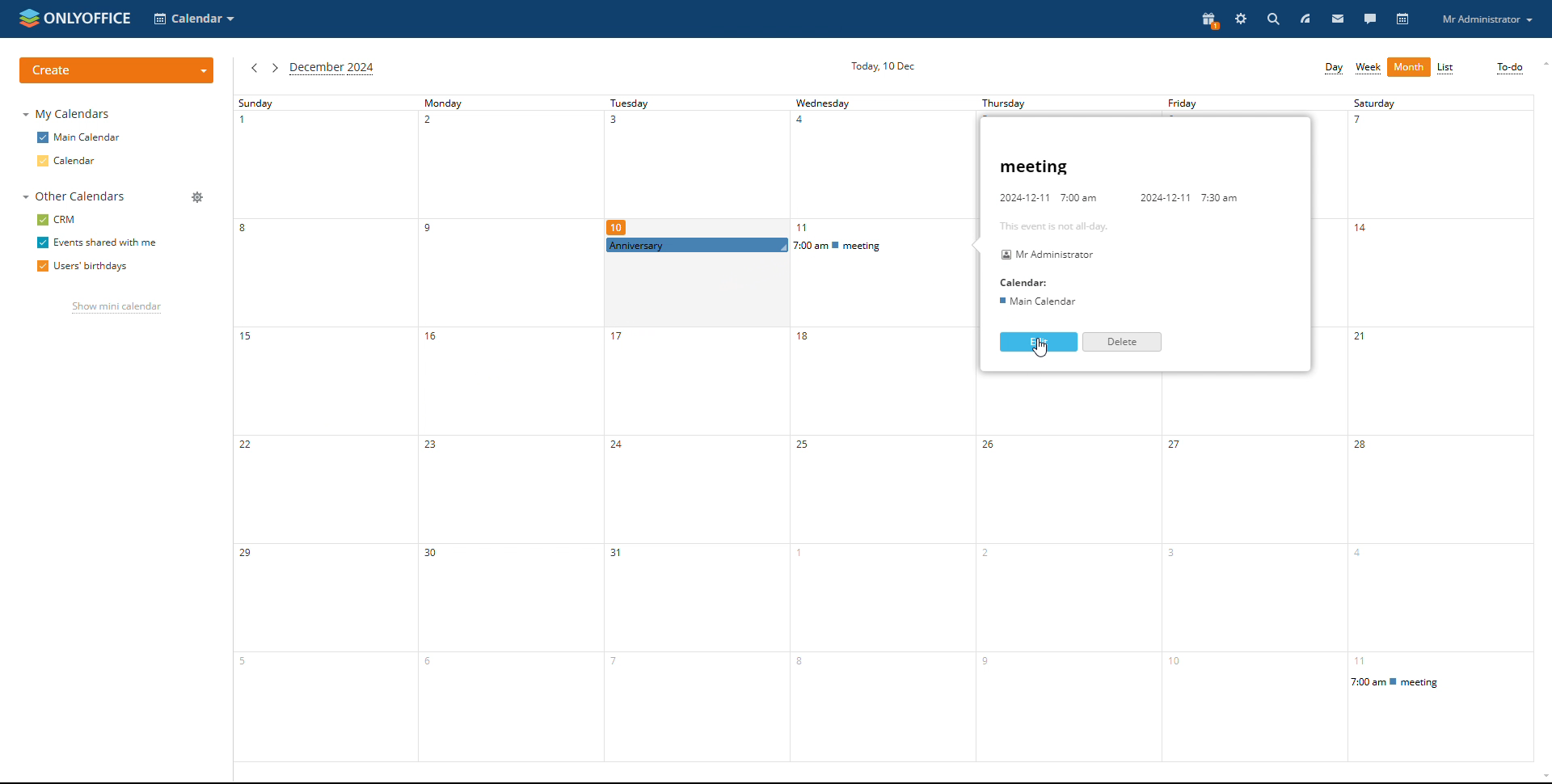 The image size is (1552, 784). What do you see at coordinates (82, 162) in the screenshot?
I see `calendar` at bounding box center [82, 162].